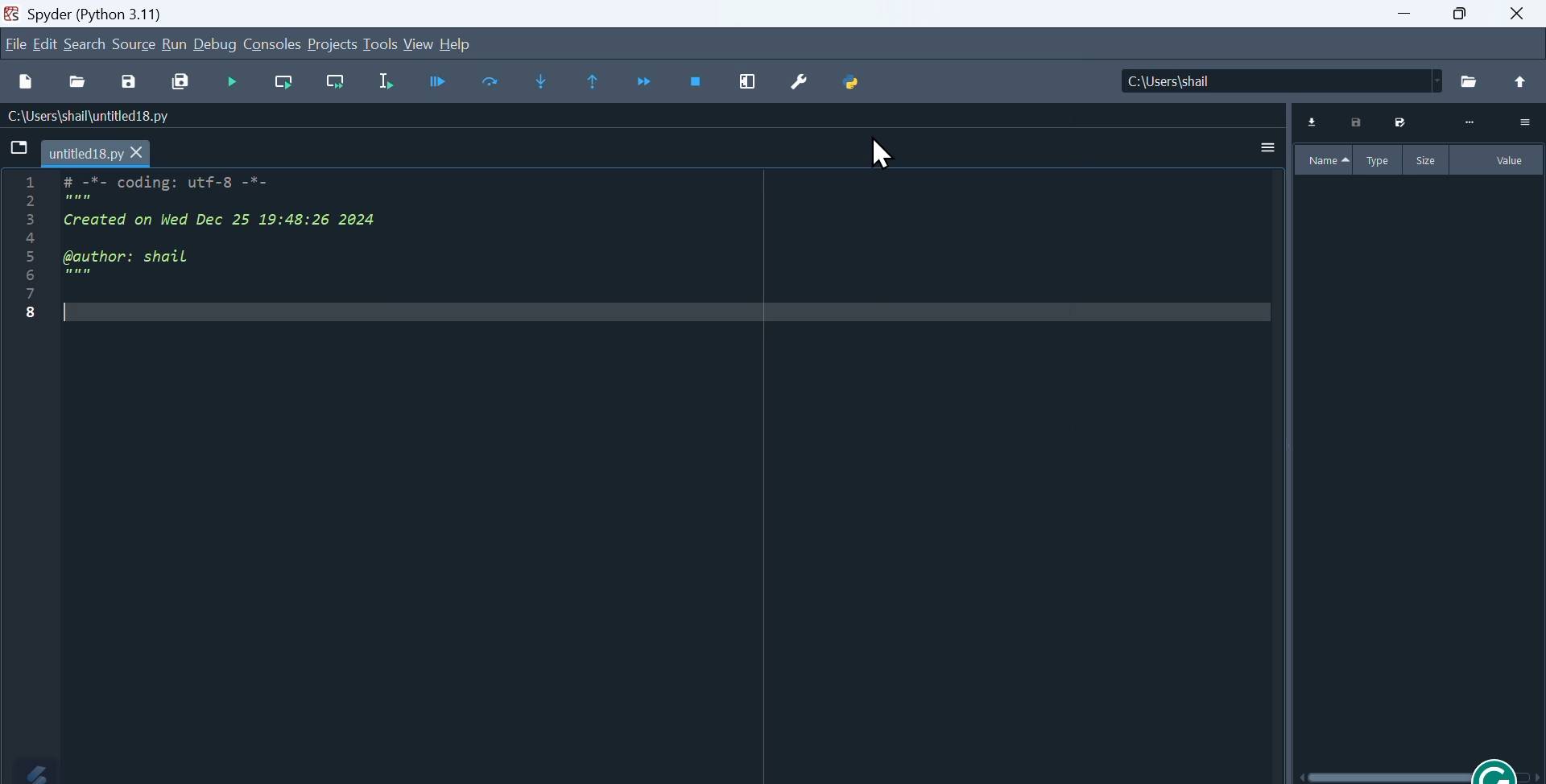  Describe the element at coordinates (1404, 16) in the screenshot. I see `minimise` at that location.